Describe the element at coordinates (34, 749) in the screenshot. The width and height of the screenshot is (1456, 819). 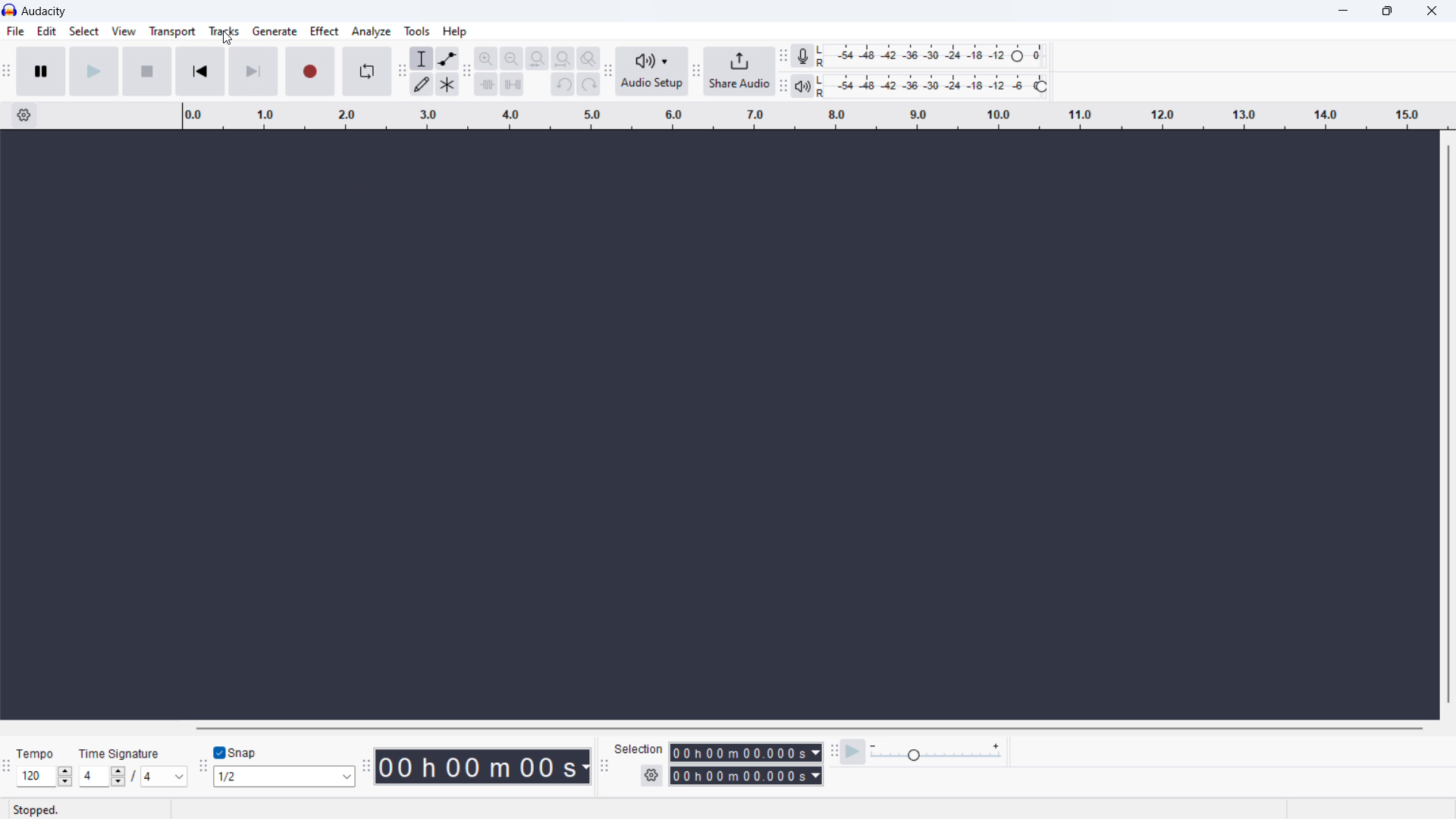
I see `Tempo` at that location.